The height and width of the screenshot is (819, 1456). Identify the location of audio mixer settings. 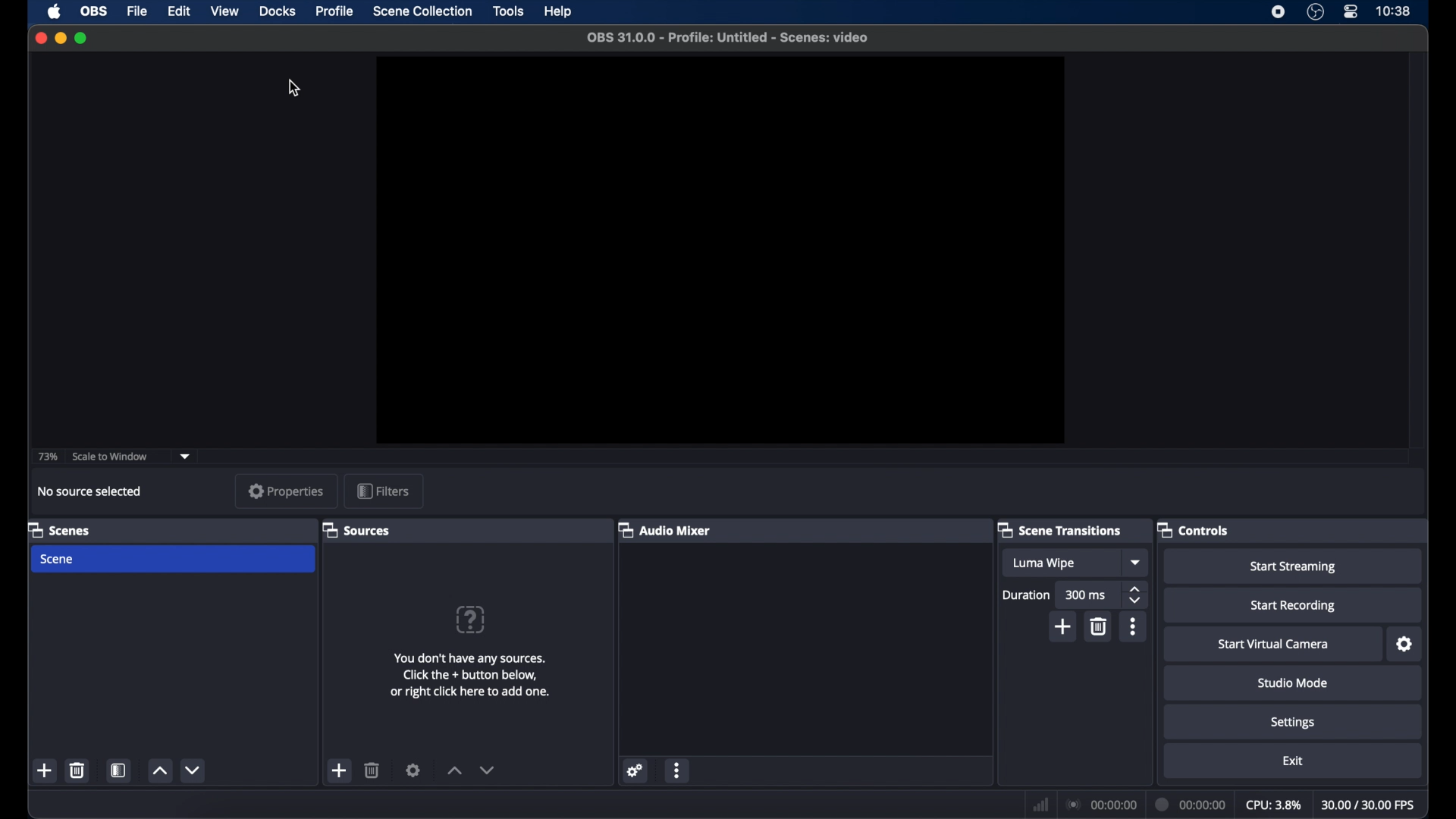
(635, 771).